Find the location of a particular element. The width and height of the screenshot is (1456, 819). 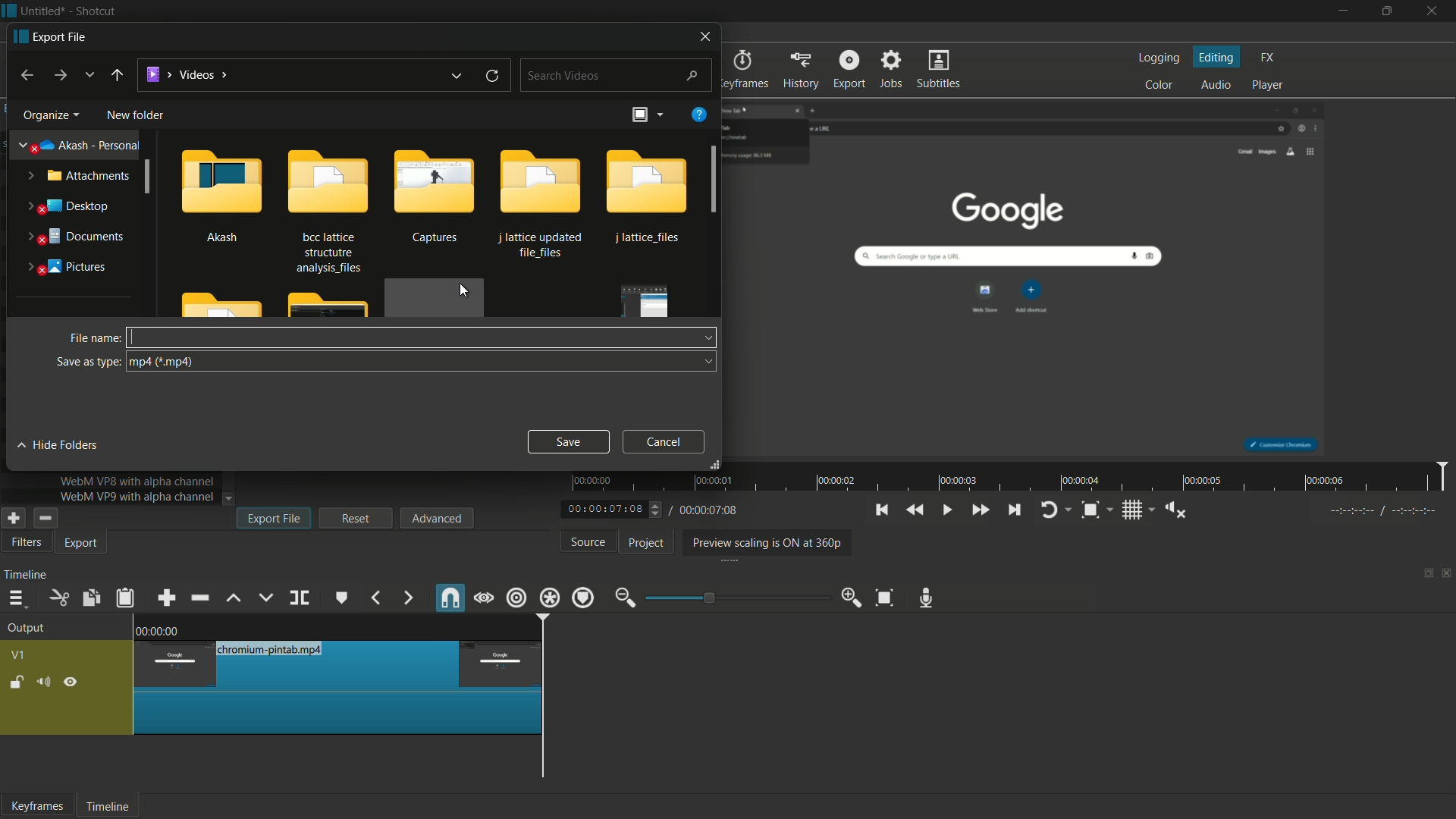

jobs is located at coordinates (890, 69).